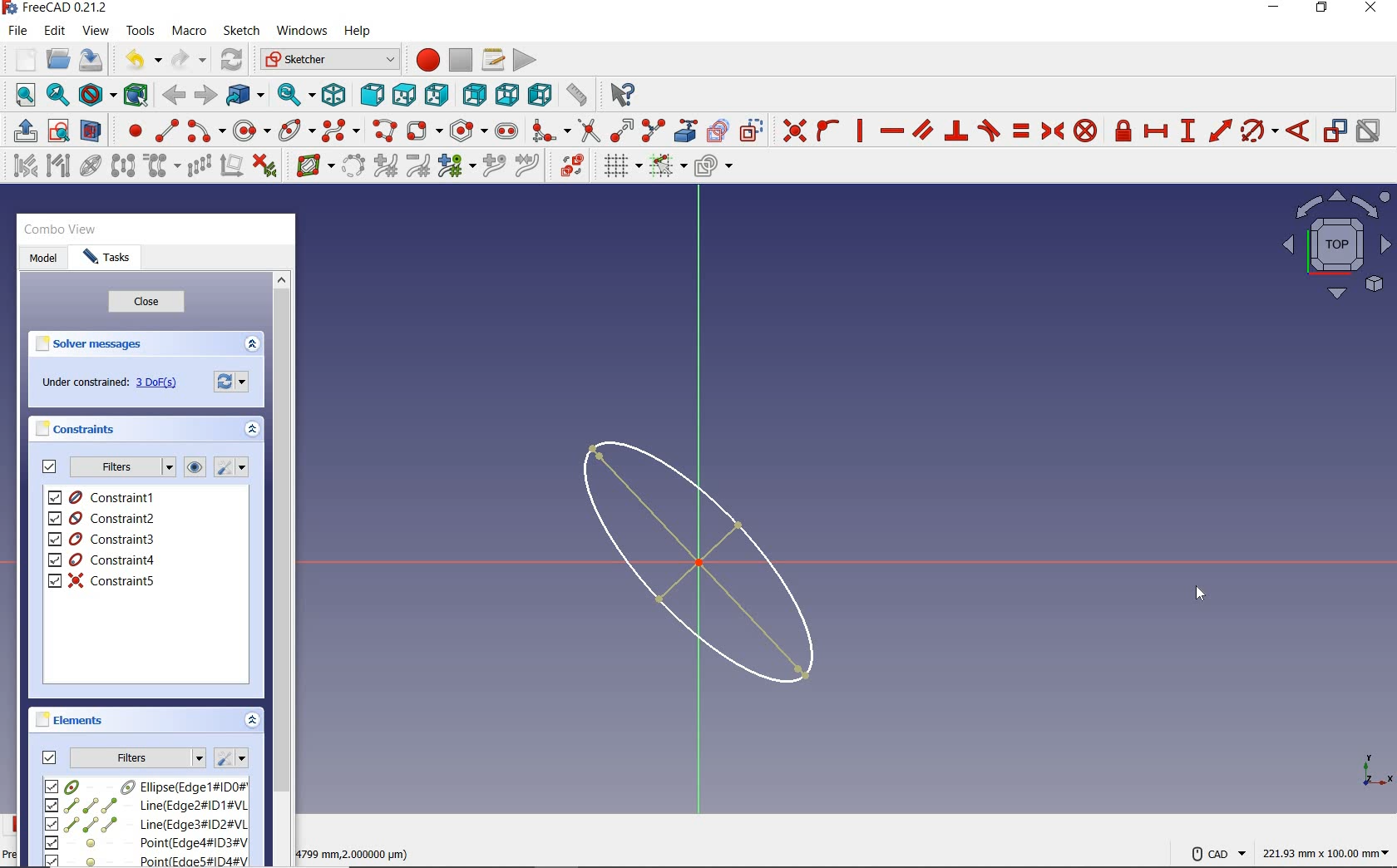  I want to click on clone, so click(160, 166).